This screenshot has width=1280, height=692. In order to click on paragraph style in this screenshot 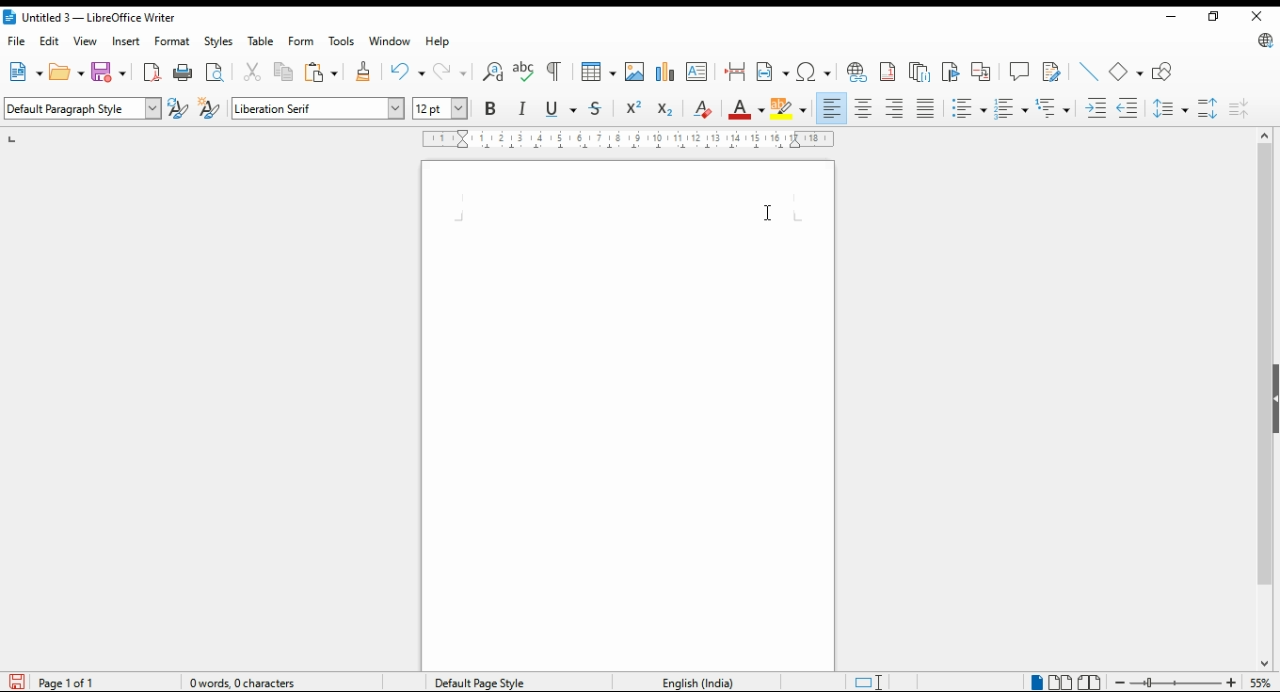, I will do `click(84, 108)`.